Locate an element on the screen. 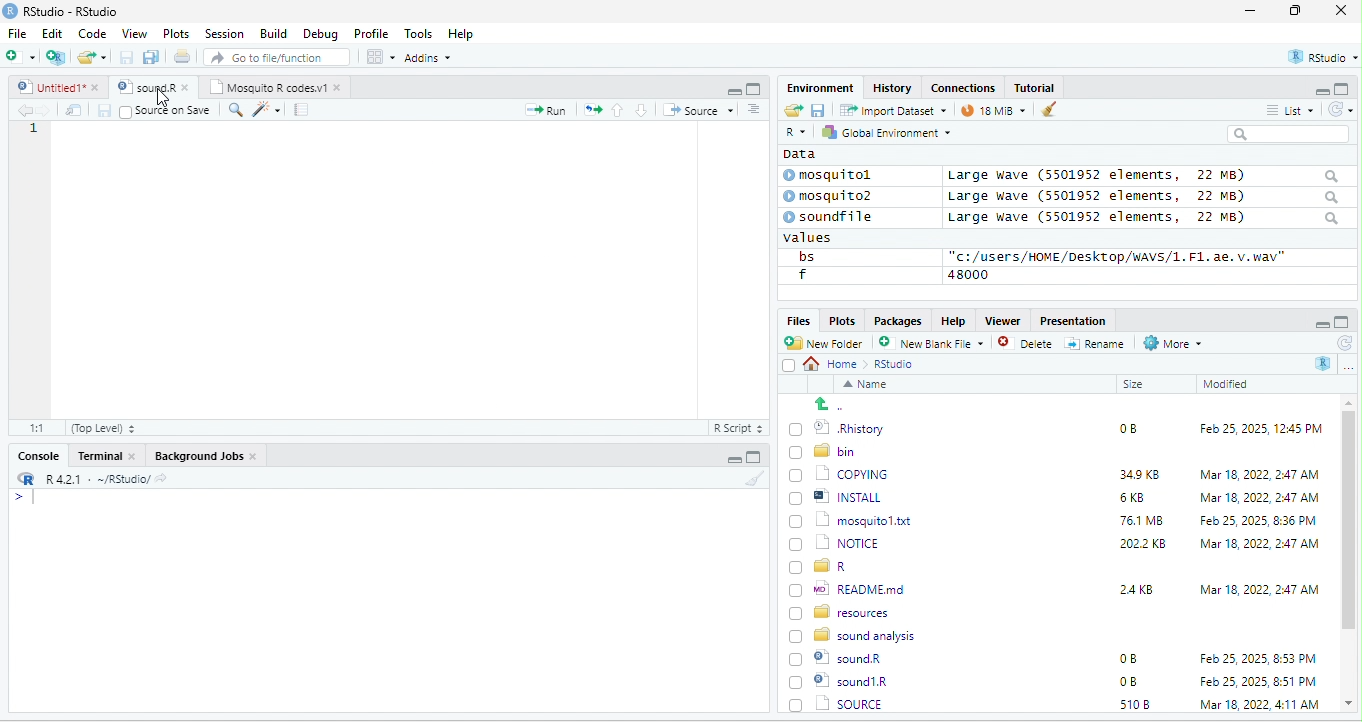  31:55 is located at coordinates (34, 428).